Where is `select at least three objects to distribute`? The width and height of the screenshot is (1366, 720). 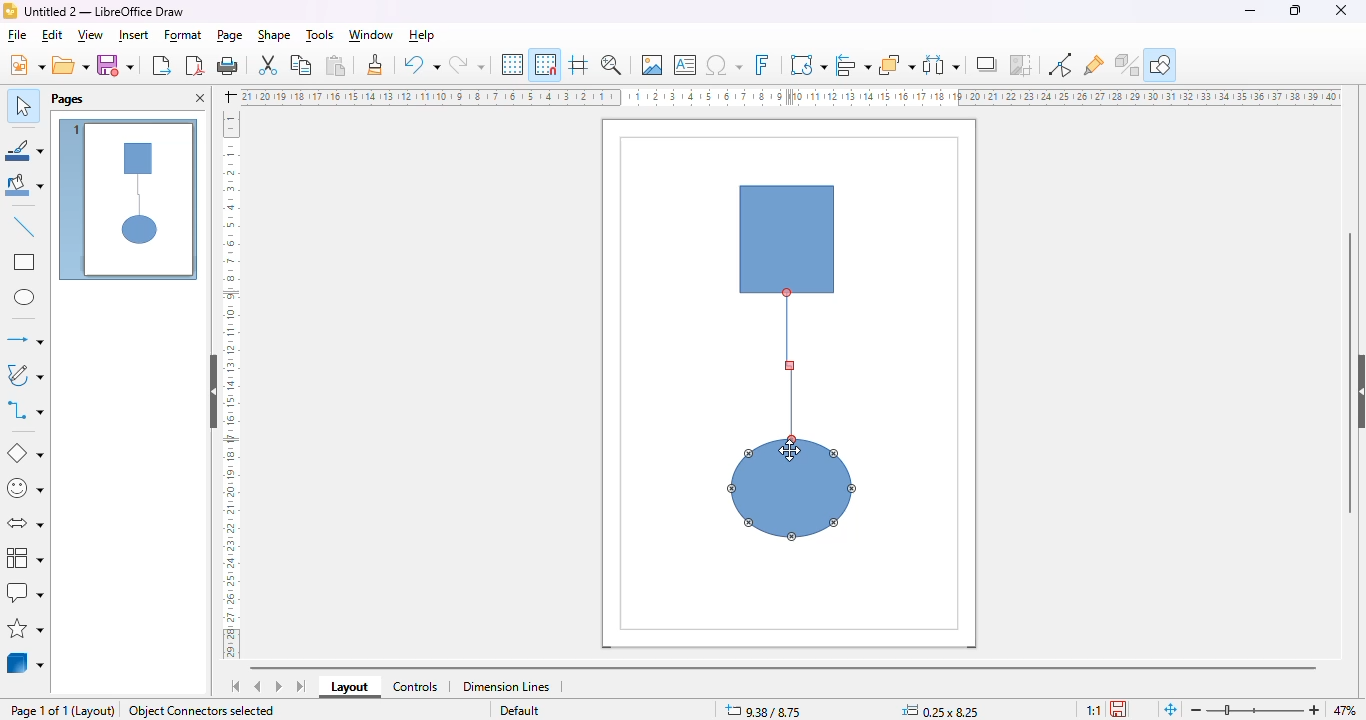
select at least three objects to distribute is located at coordinates (942, 65).